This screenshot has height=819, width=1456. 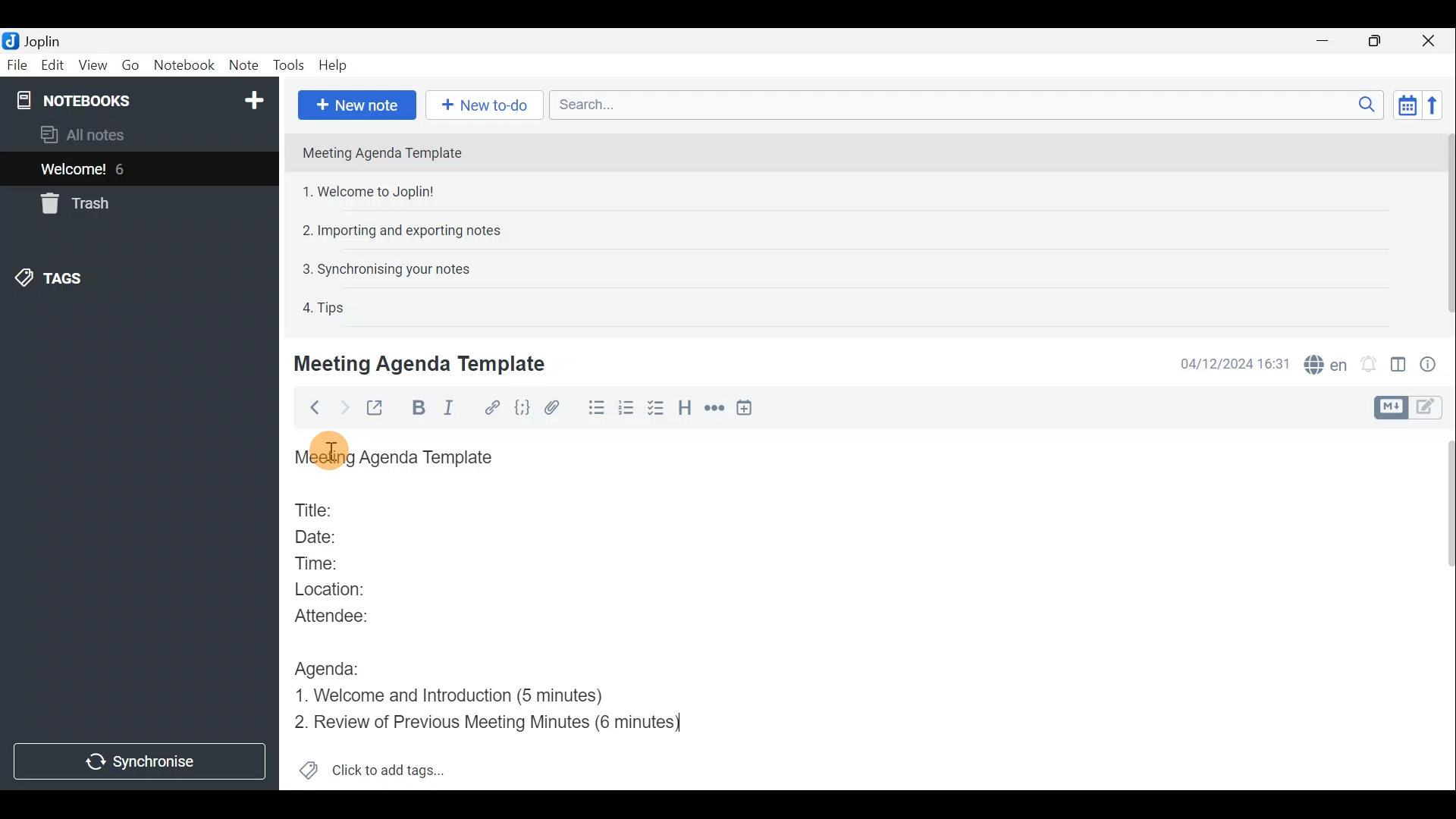 I want to click on 1. Welcome to Joplin!, so click(x=373, y=191).